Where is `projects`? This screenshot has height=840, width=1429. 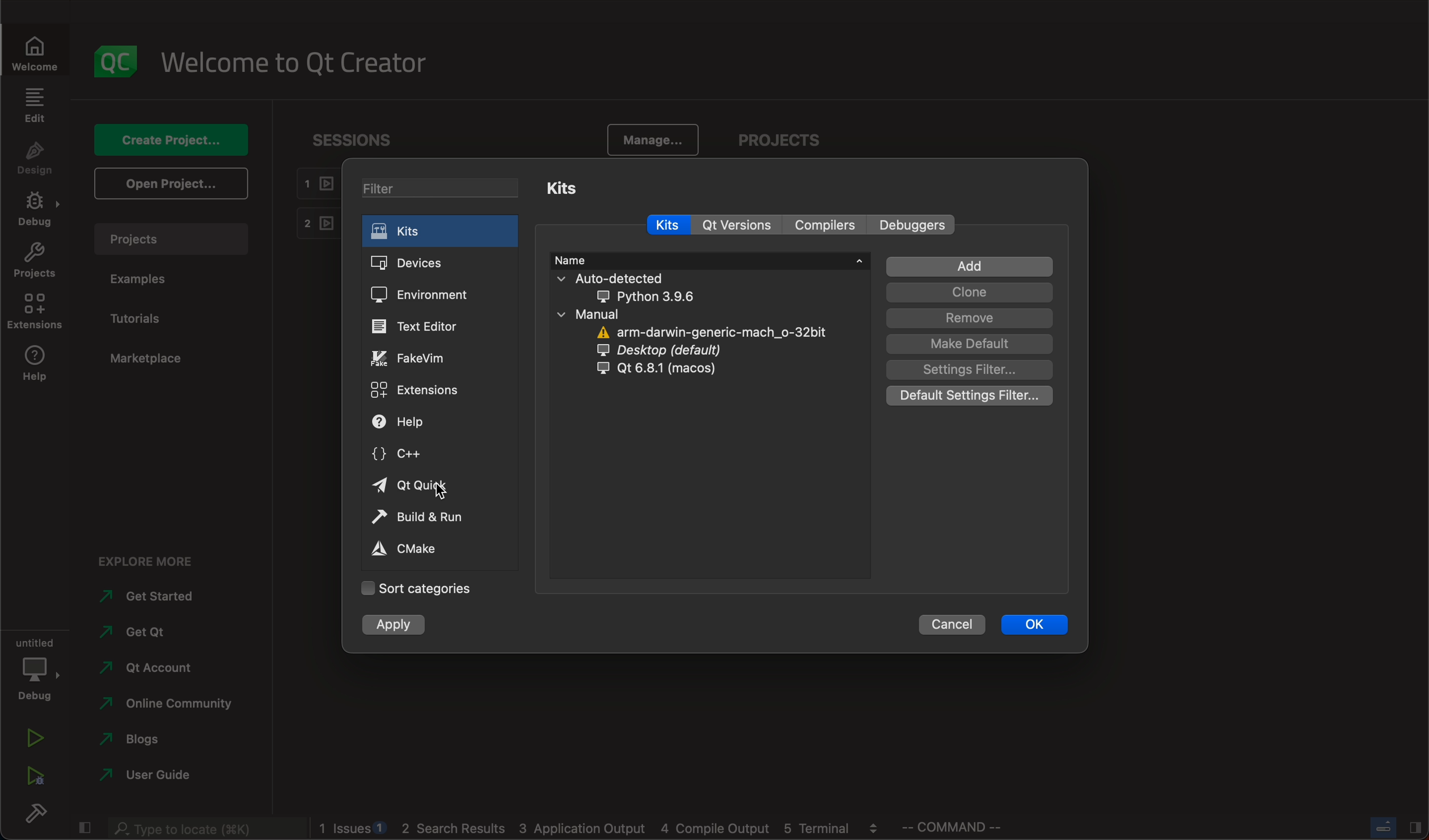 projects is located at coordinates (35, 261).